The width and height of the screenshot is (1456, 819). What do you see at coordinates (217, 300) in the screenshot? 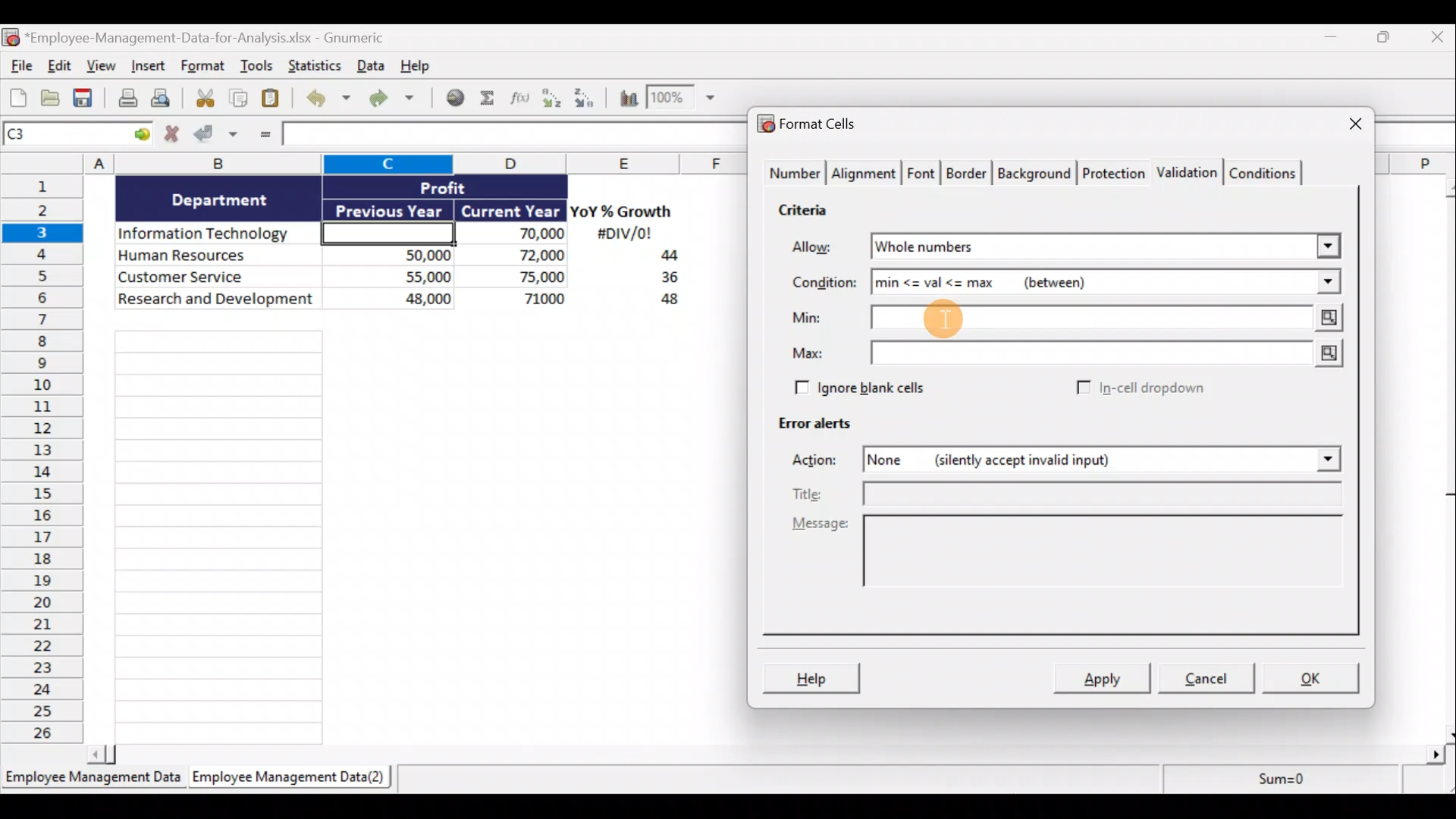
I see `Research and development` at bounding box center [217, 300].